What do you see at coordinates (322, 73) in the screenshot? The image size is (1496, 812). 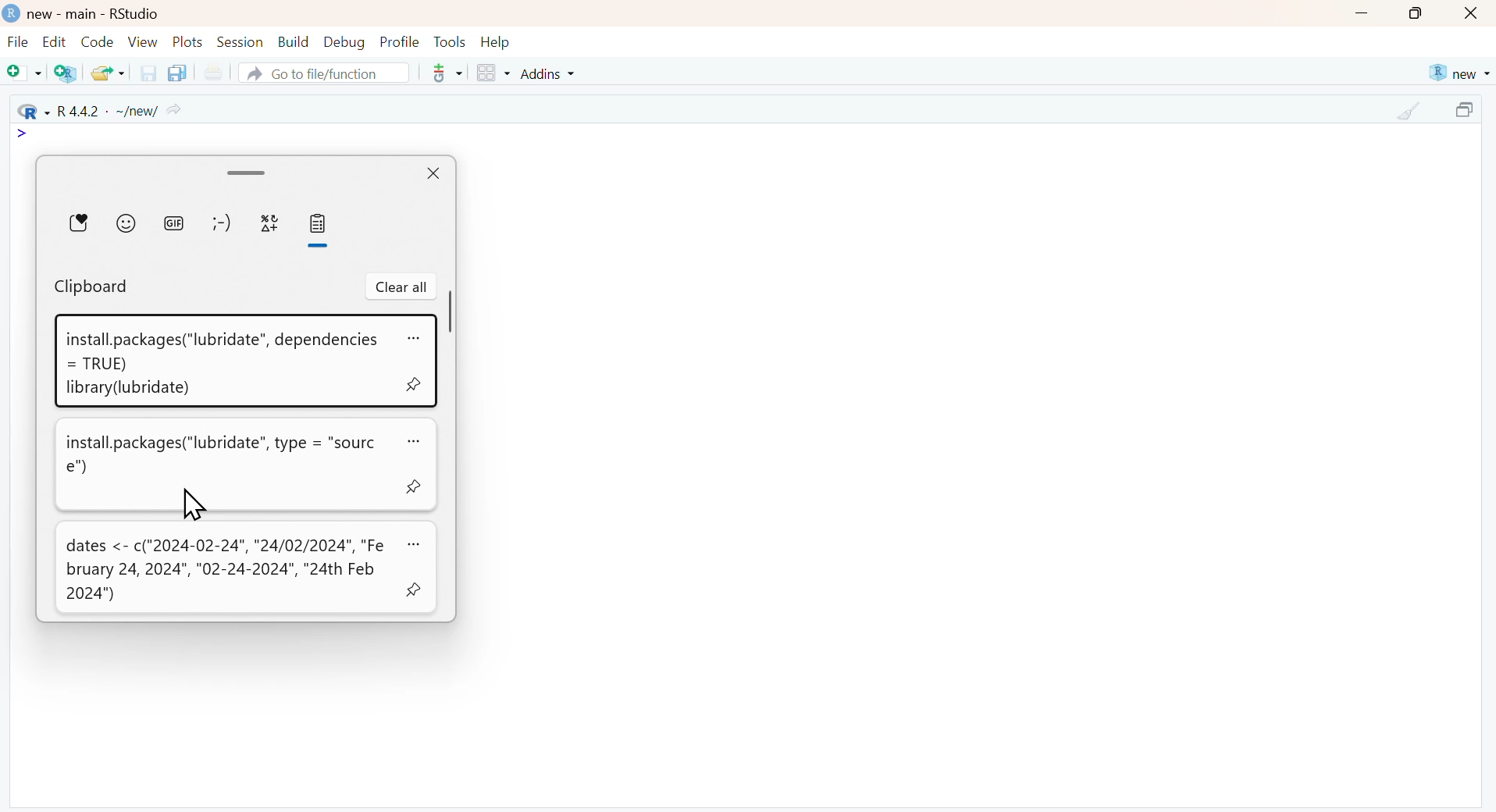 I see `Go to file/function` at bounding box center [322, 73].